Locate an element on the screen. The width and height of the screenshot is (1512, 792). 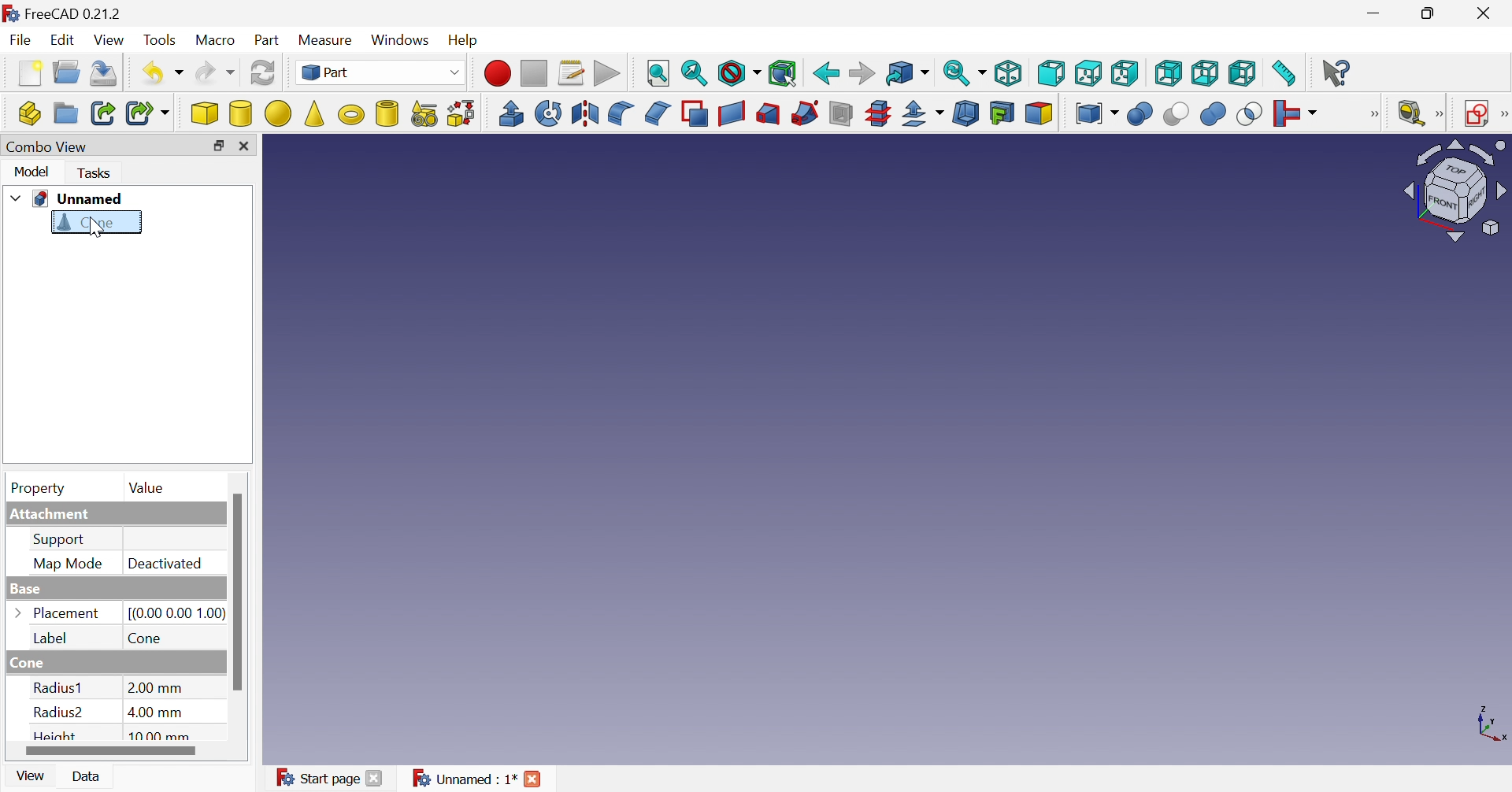
Radius1 is located at coordinates (59, 688).